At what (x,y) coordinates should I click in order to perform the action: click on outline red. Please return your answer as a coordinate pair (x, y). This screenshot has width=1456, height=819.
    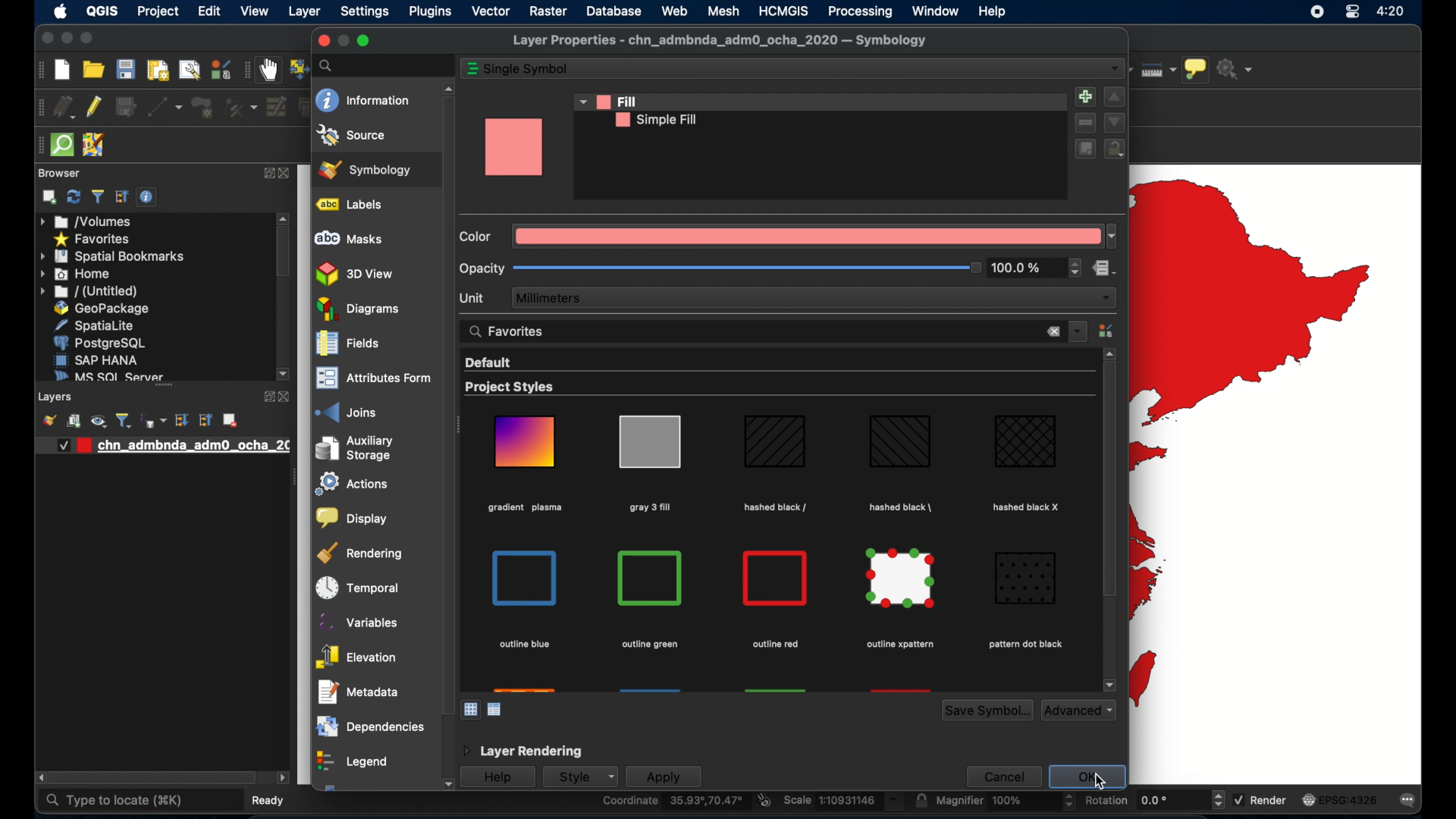
    Looking at the image, I should click on (775, 645).